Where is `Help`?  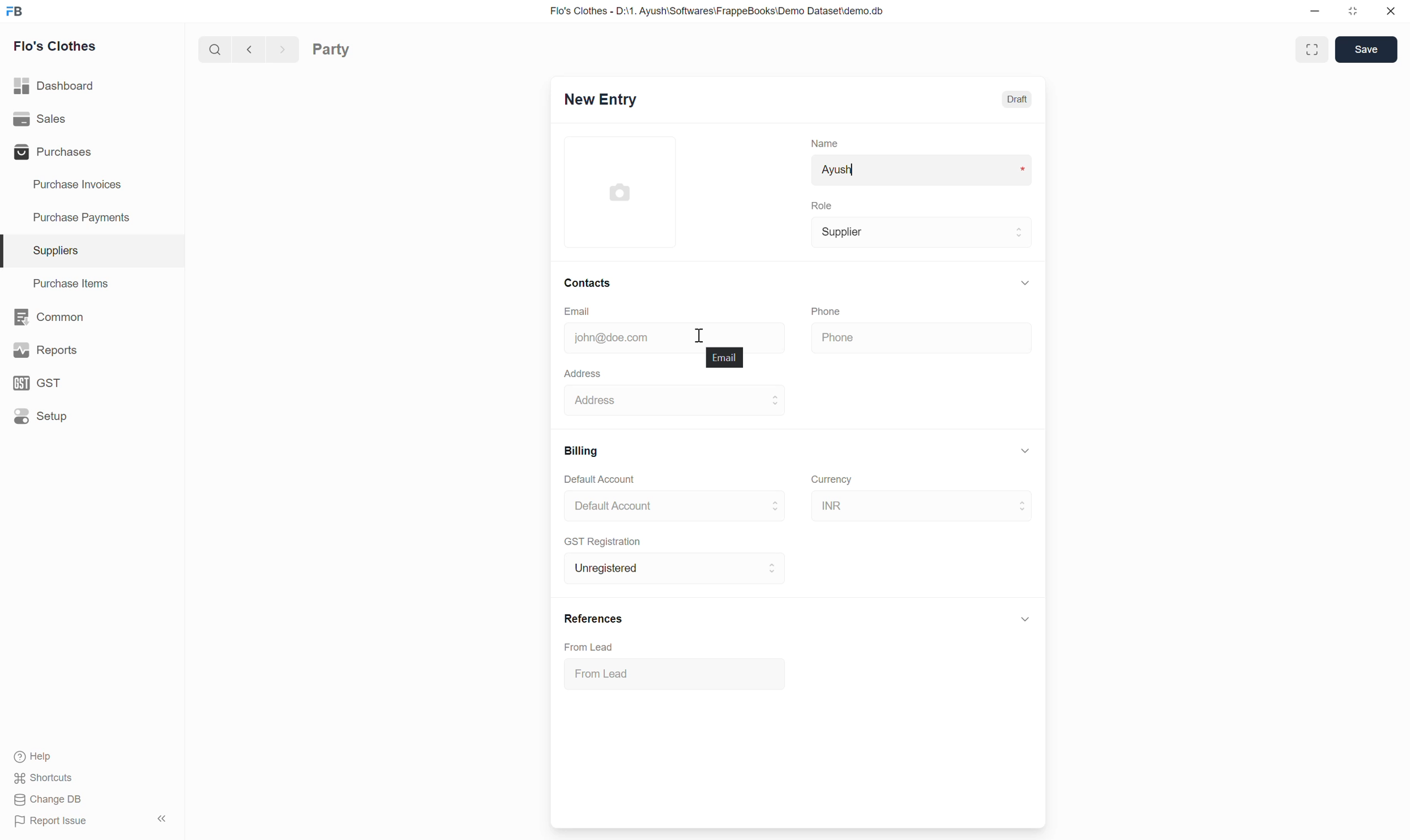
Help is located at coordinates (44, 757).